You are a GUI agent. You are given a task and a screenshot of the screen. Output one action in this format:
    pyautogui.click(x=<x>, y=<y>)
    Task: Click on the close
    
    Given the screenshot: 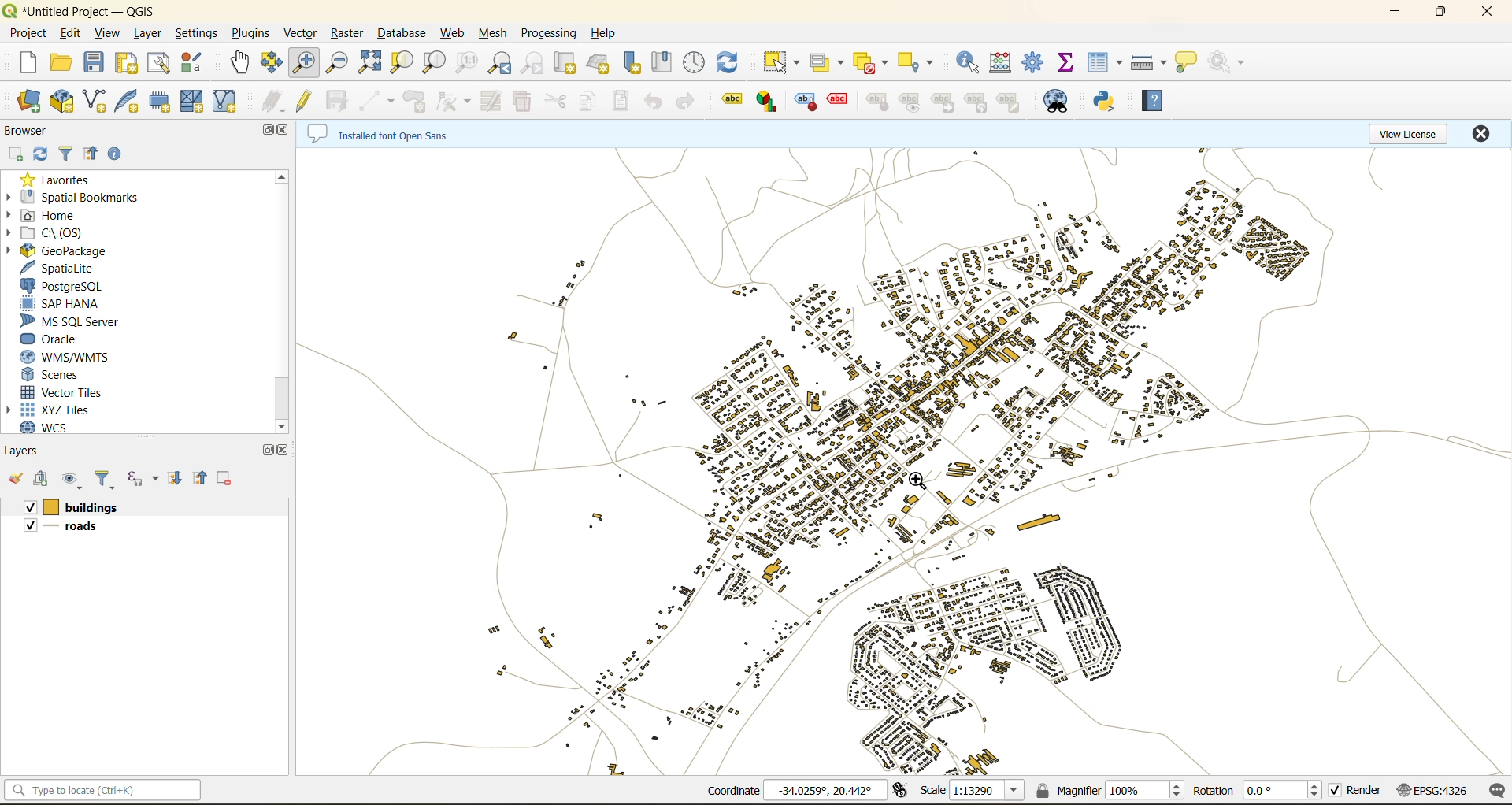 What is the action you would take?
    pyautogui.click(x=286, y=132)
    